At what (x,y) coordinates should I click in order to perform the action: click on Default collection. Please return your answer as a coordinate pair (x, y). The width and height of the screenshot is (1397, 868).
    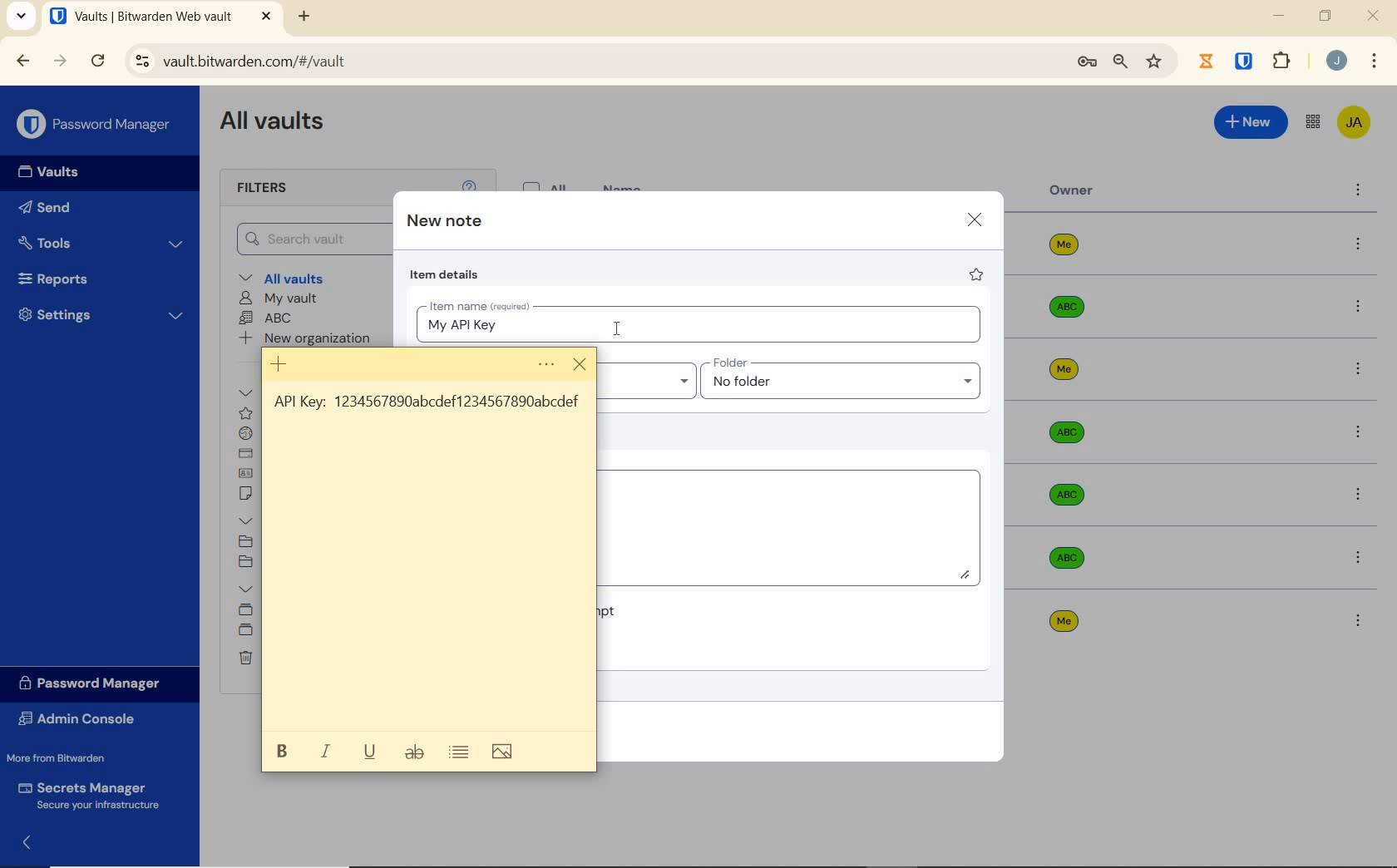
    Looking at the image, I should click on (245, 611).